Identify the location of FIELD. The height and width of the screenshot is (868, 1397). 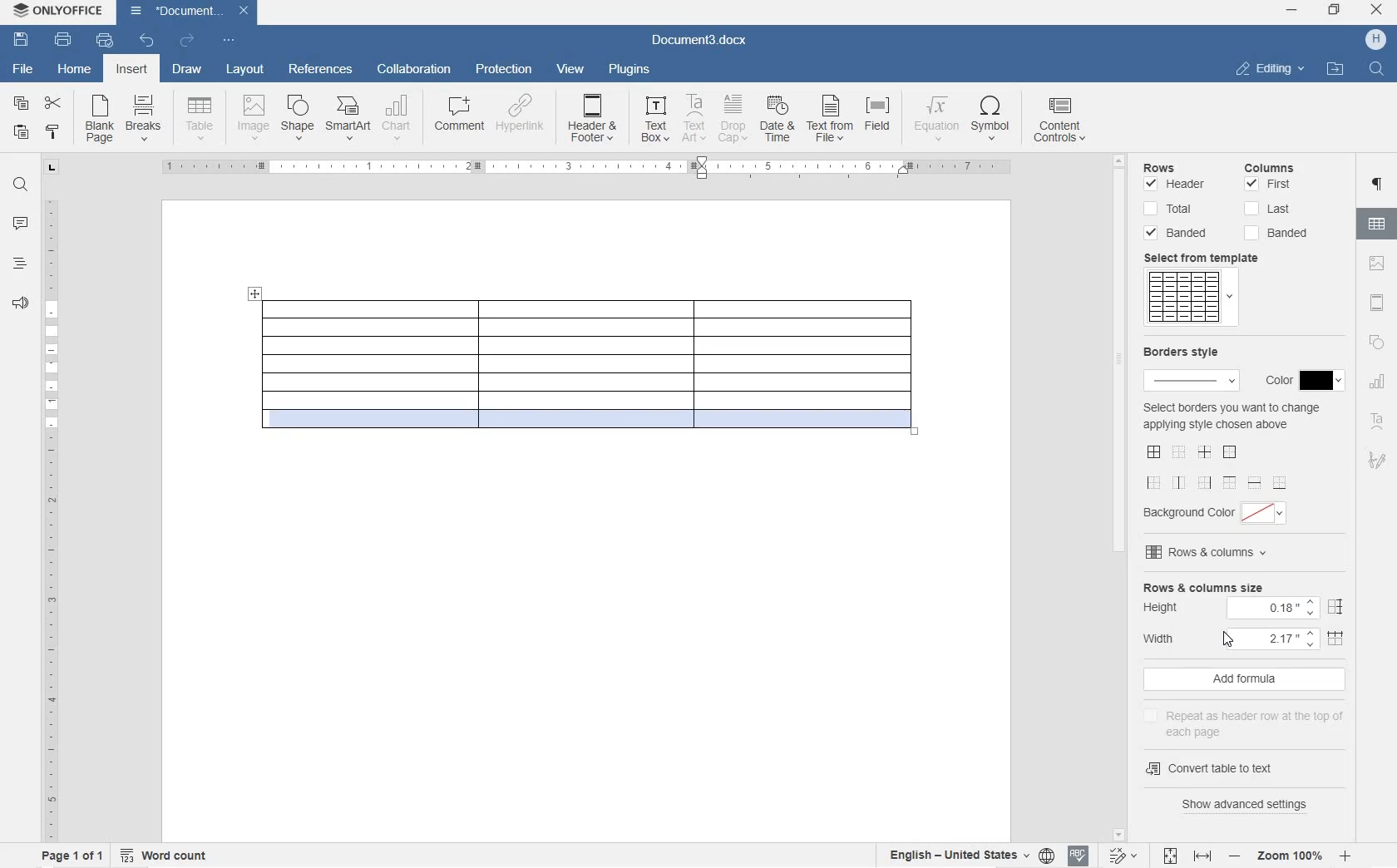
(876, 116).